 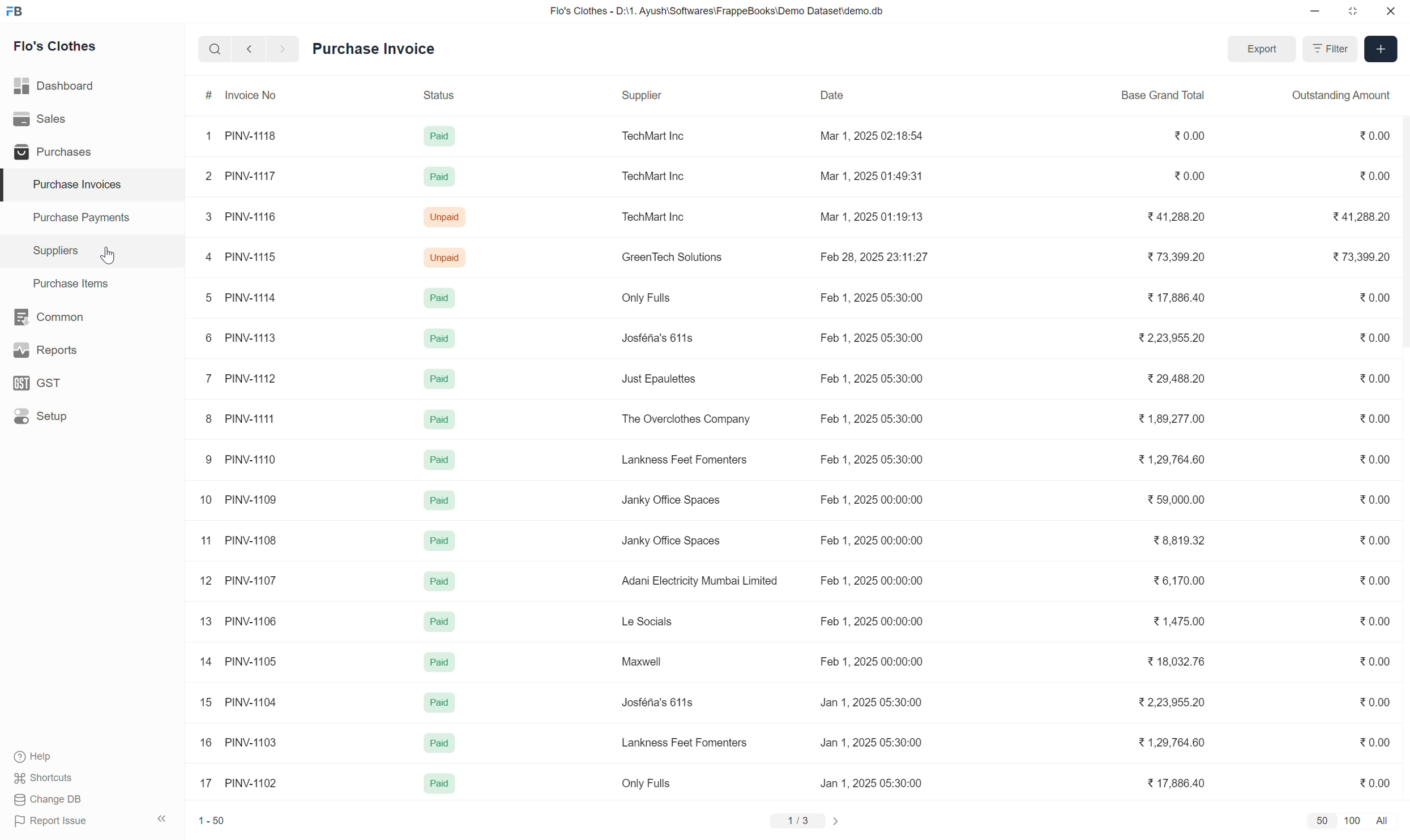 What do you see at coordinates (229, 700) in the screenshot?
I see `15 PINV-1104` at bounding box center [229, 700].